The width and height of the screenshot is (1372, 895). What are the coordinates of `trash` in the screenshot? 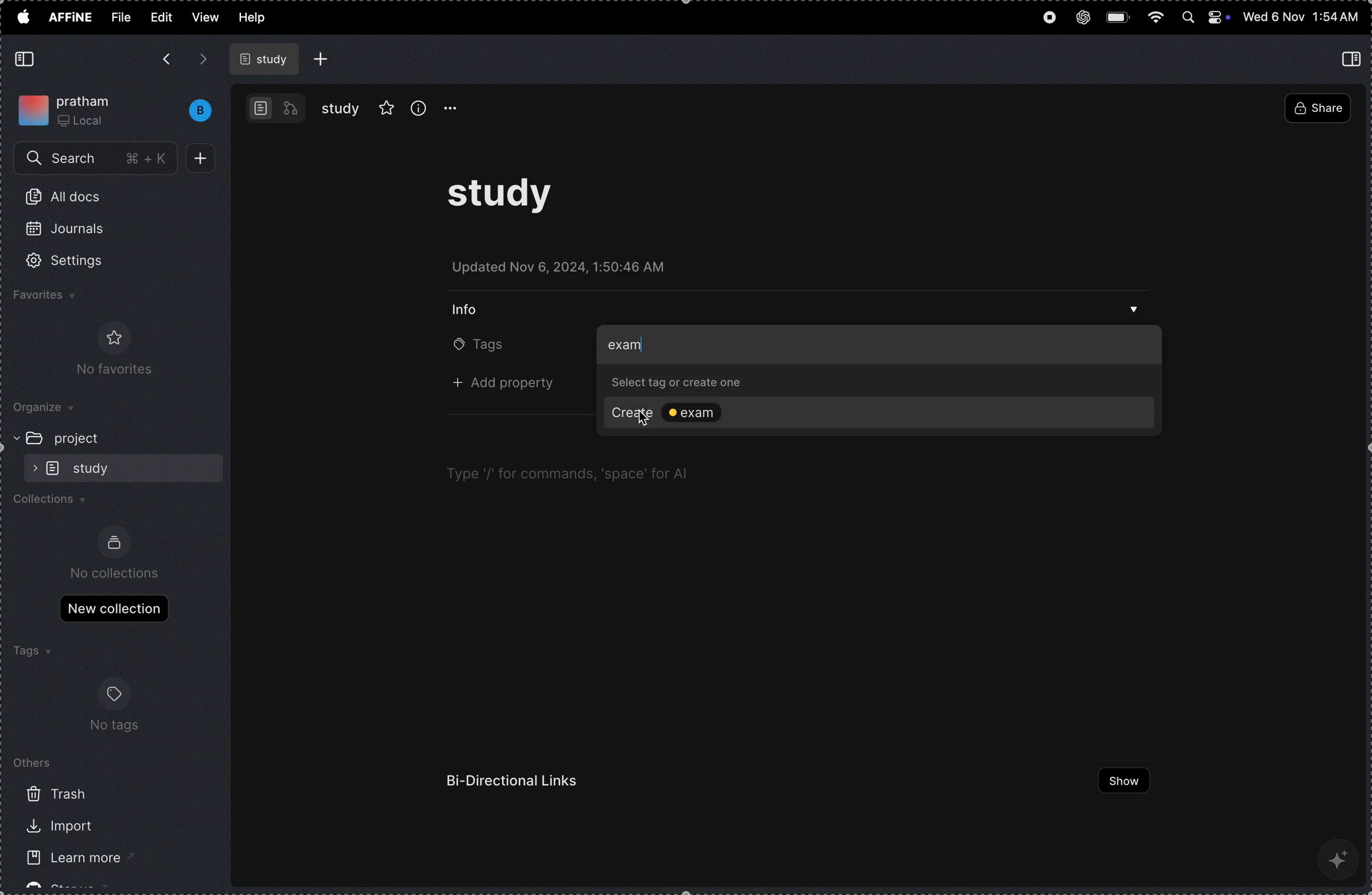 It's located at (57, 794).